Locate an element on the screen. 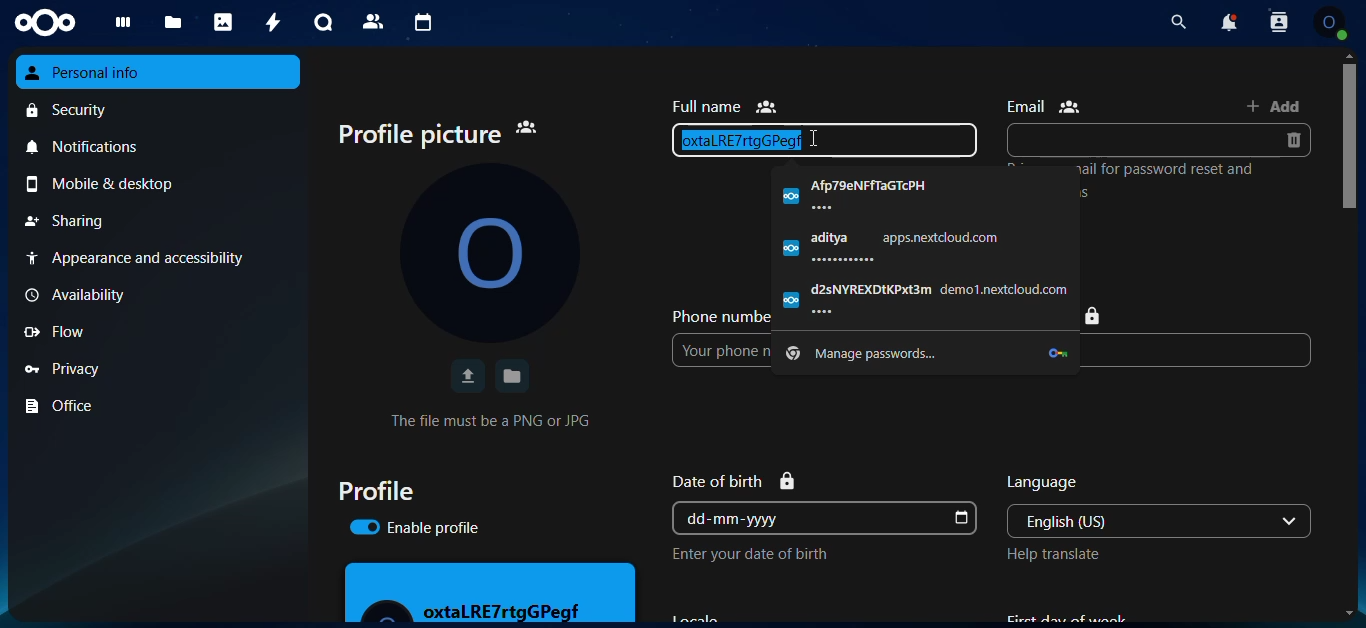 Image resolution: width=1366 pixels, height=628 pixels. scroll down is located at coordinates (1349, 613).